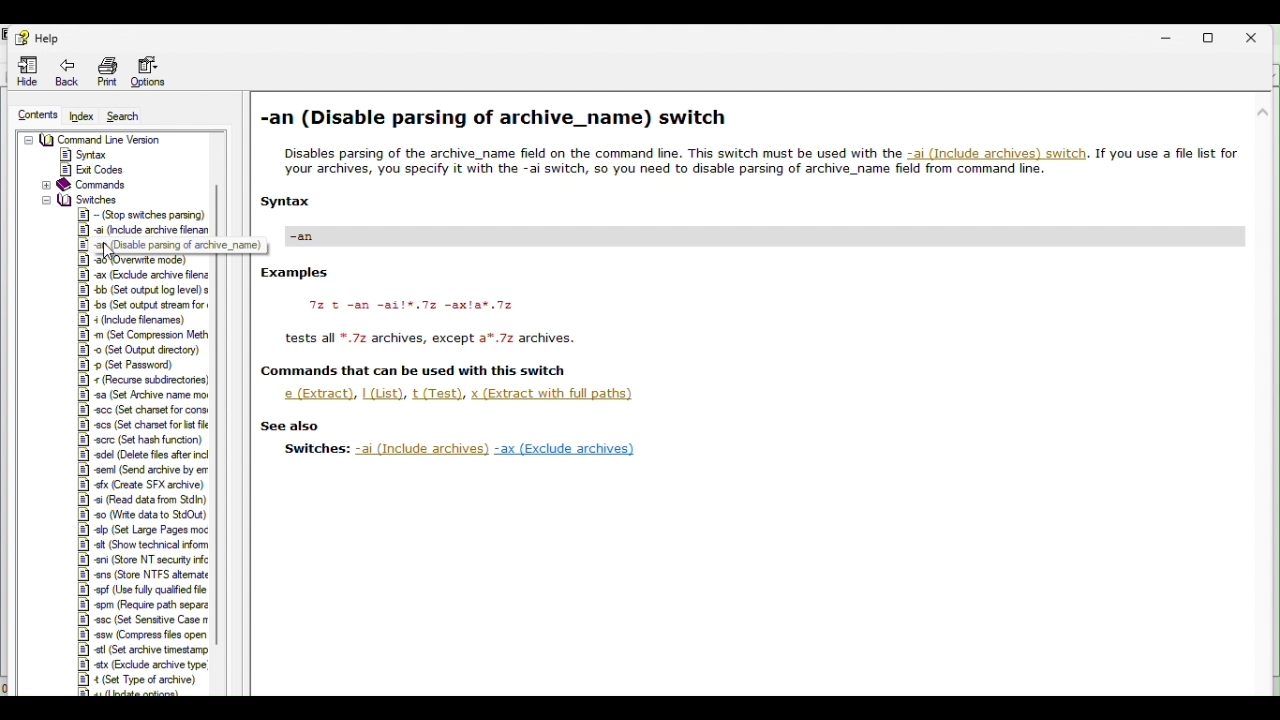 Image resolution: width=1280 pixels, height=720 pixels. Describe the element at coordinates (85, 185) in the screenshot. I see `Commands` at that location.